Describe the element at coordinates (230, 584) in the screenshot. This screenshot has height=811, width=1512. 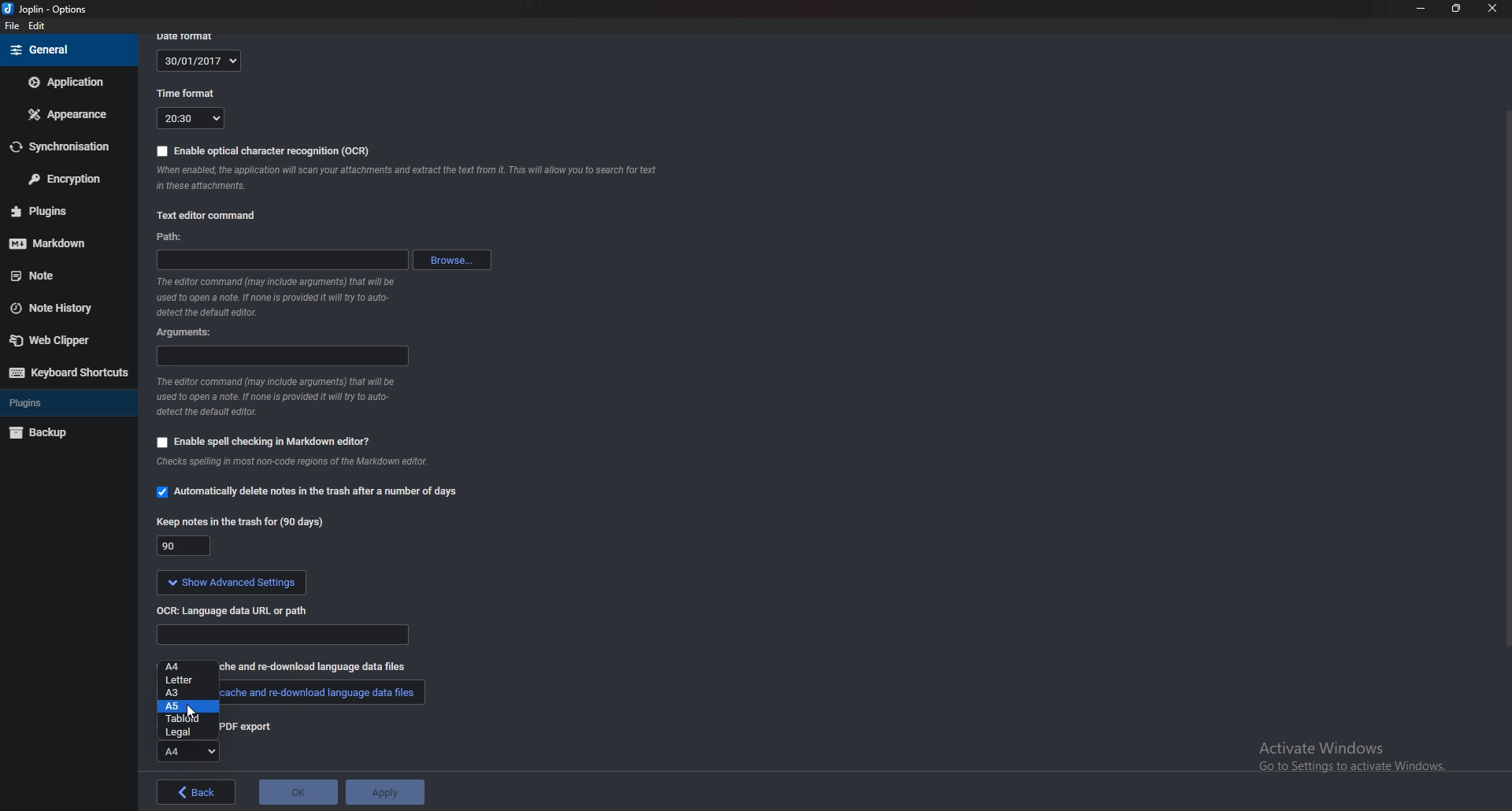
I see `show advanced settings` at that location.